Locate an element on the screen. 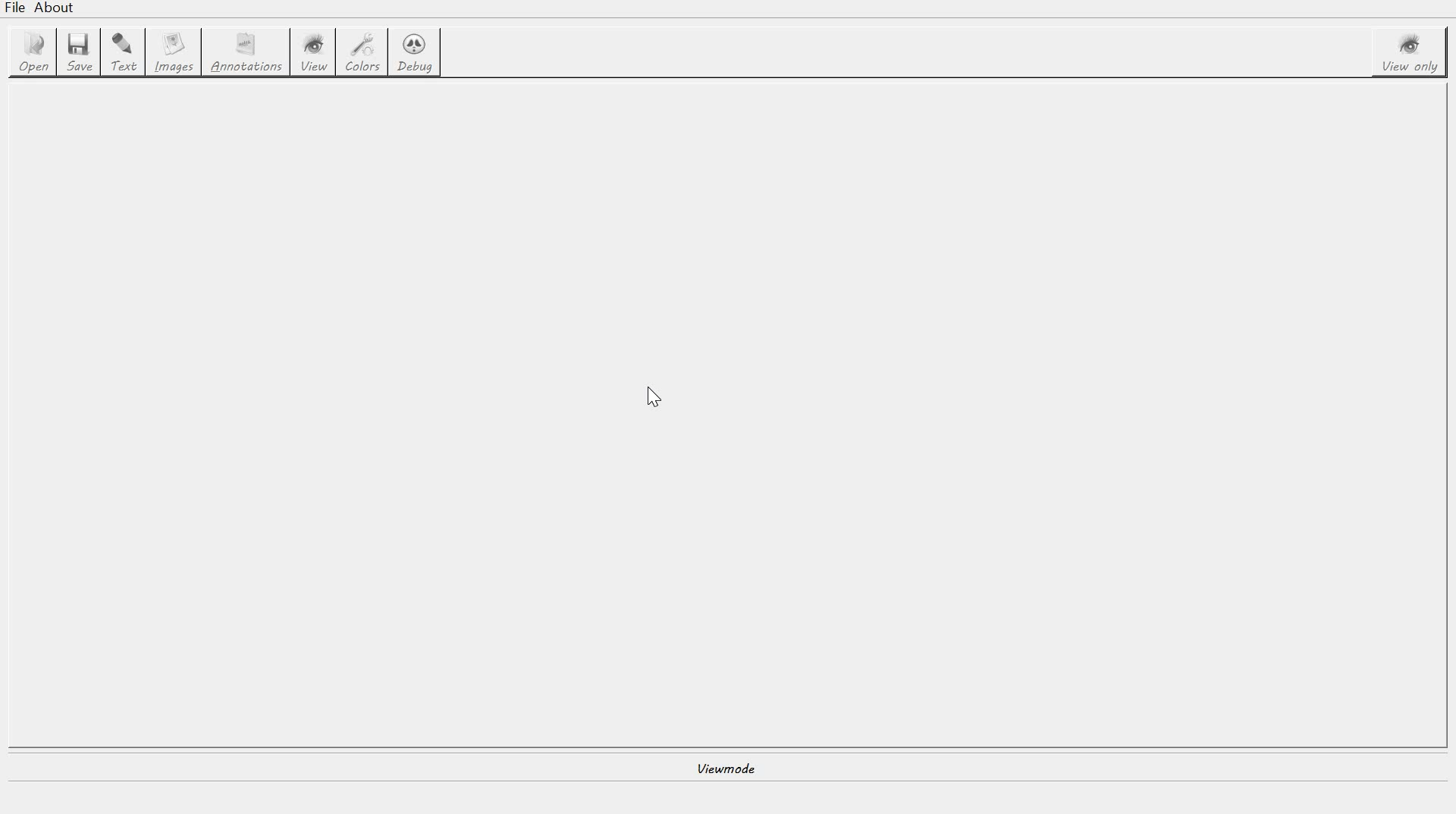 The width and height of the screenshot is (1456, 814). view is located at coordinates (317, 53).